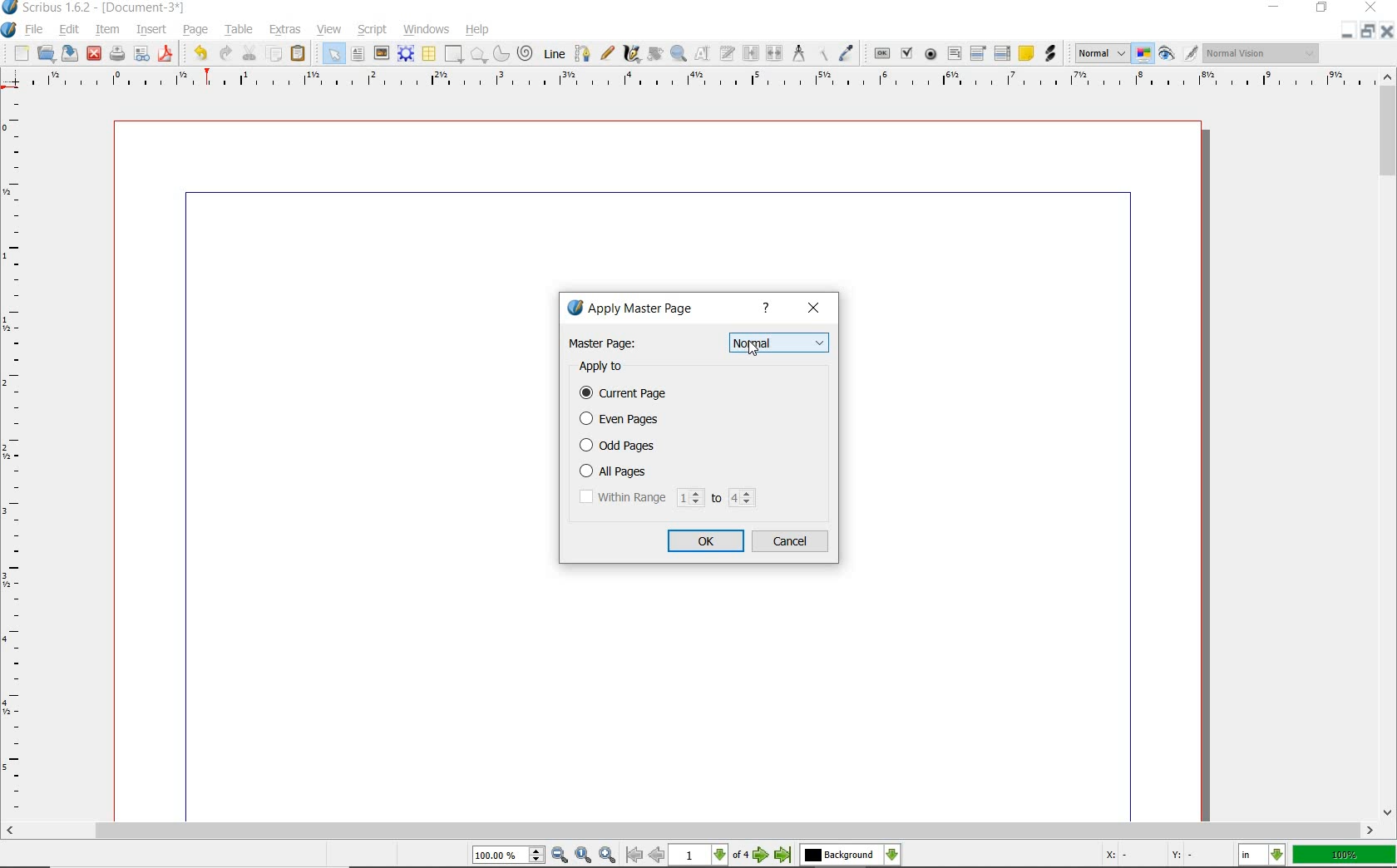 The width and height of the screenshot is (1397, 868). Describe the element at coordinates (427, 29) in the screenshot. I see `windows` at that location.